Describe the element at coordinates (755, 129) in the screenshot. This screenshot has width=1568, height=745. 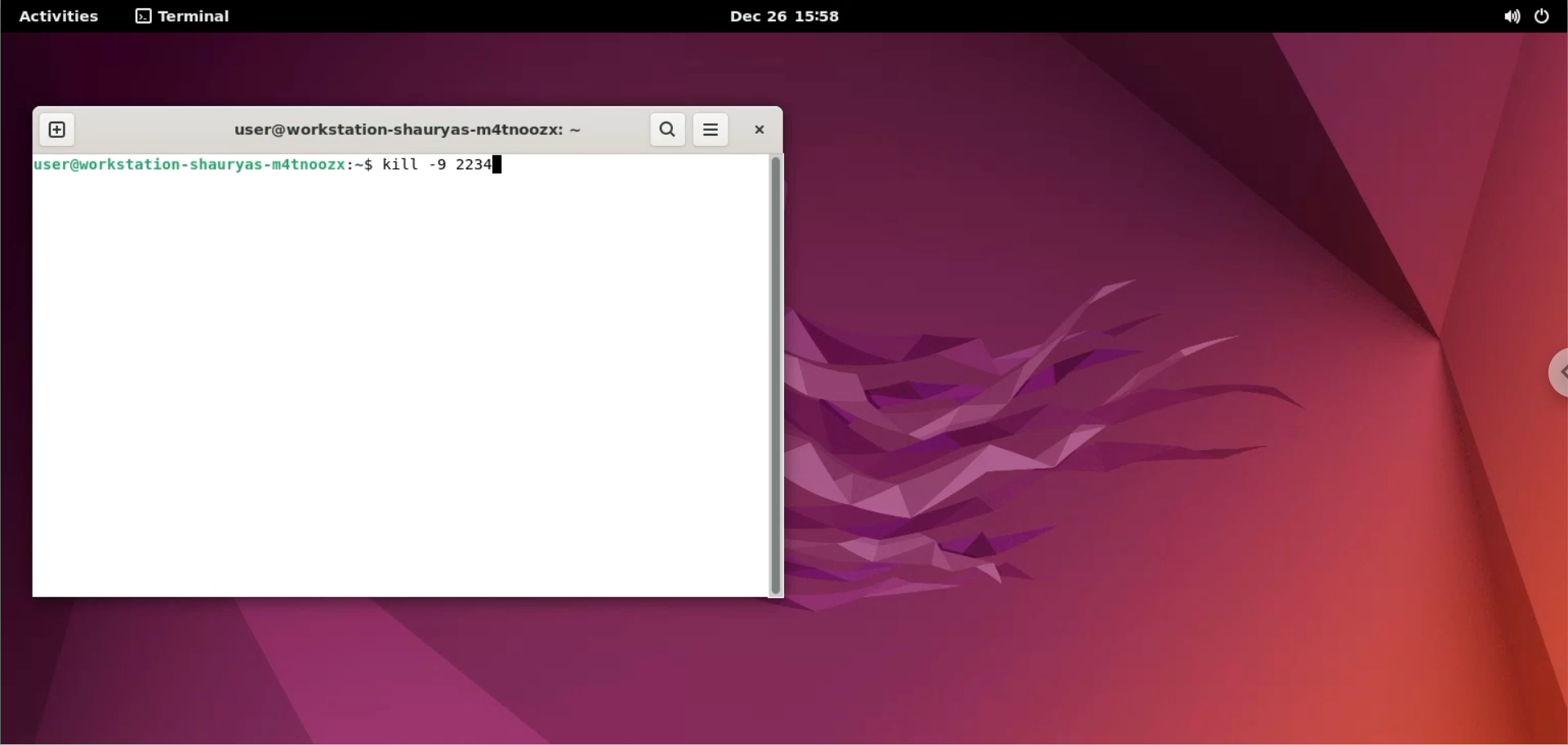
I see `close` at that location.